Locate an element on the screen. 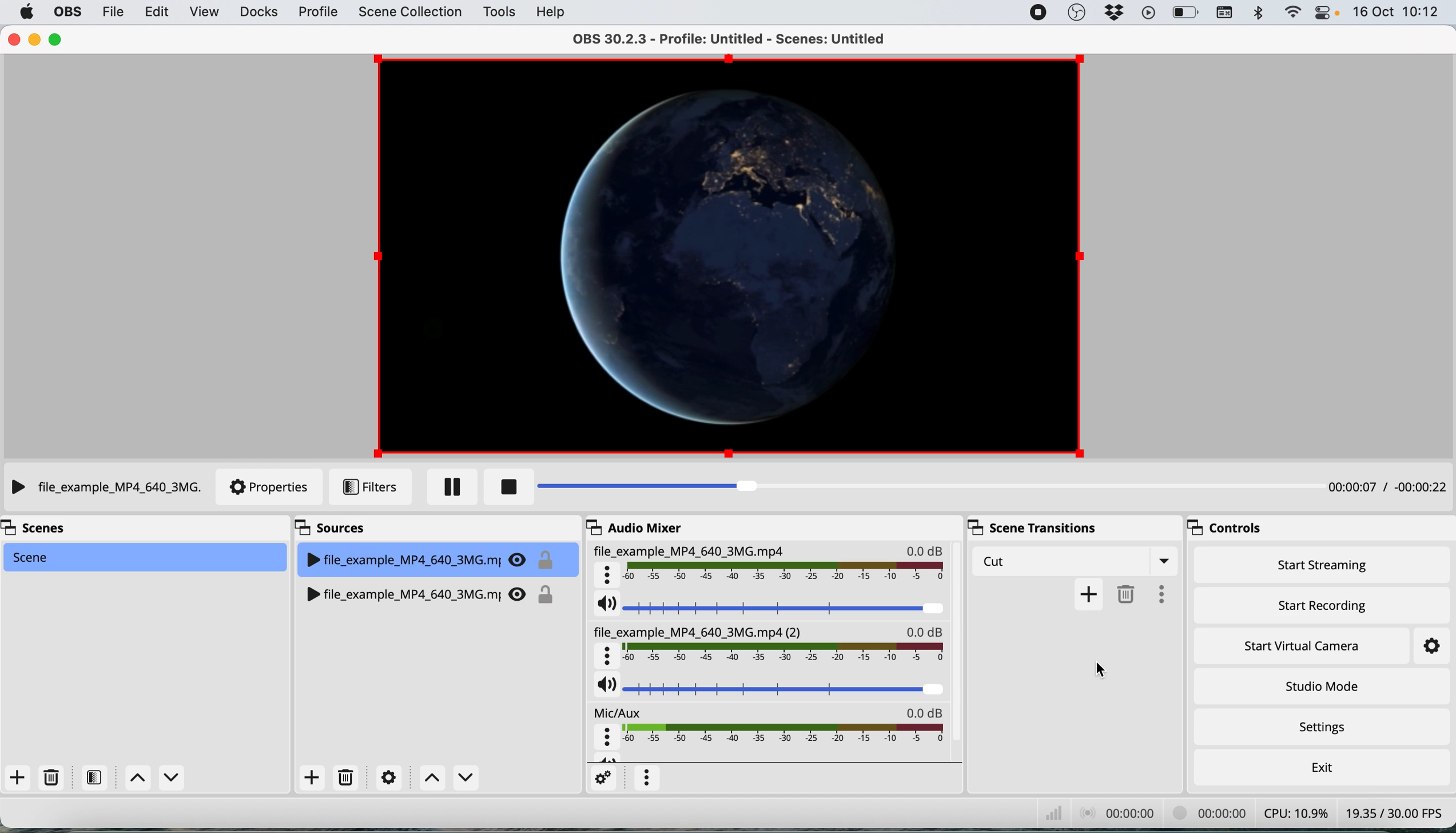  filters is located at coordinates (93, 777).